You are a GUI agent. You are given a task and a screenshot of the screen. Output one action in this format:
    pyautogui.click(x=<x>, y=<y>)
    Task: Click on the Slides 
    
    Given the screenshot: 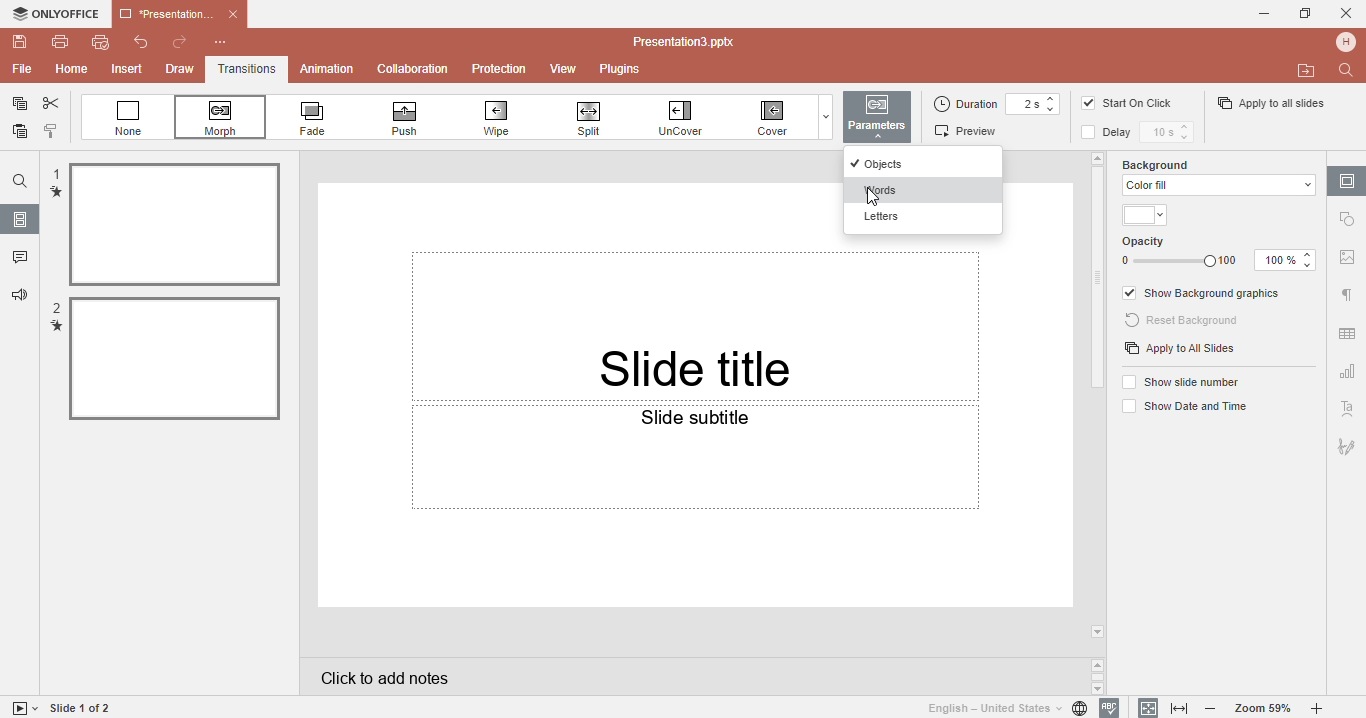 What is the action you would take?
    pyautogui.click(x=20, y=219)
    